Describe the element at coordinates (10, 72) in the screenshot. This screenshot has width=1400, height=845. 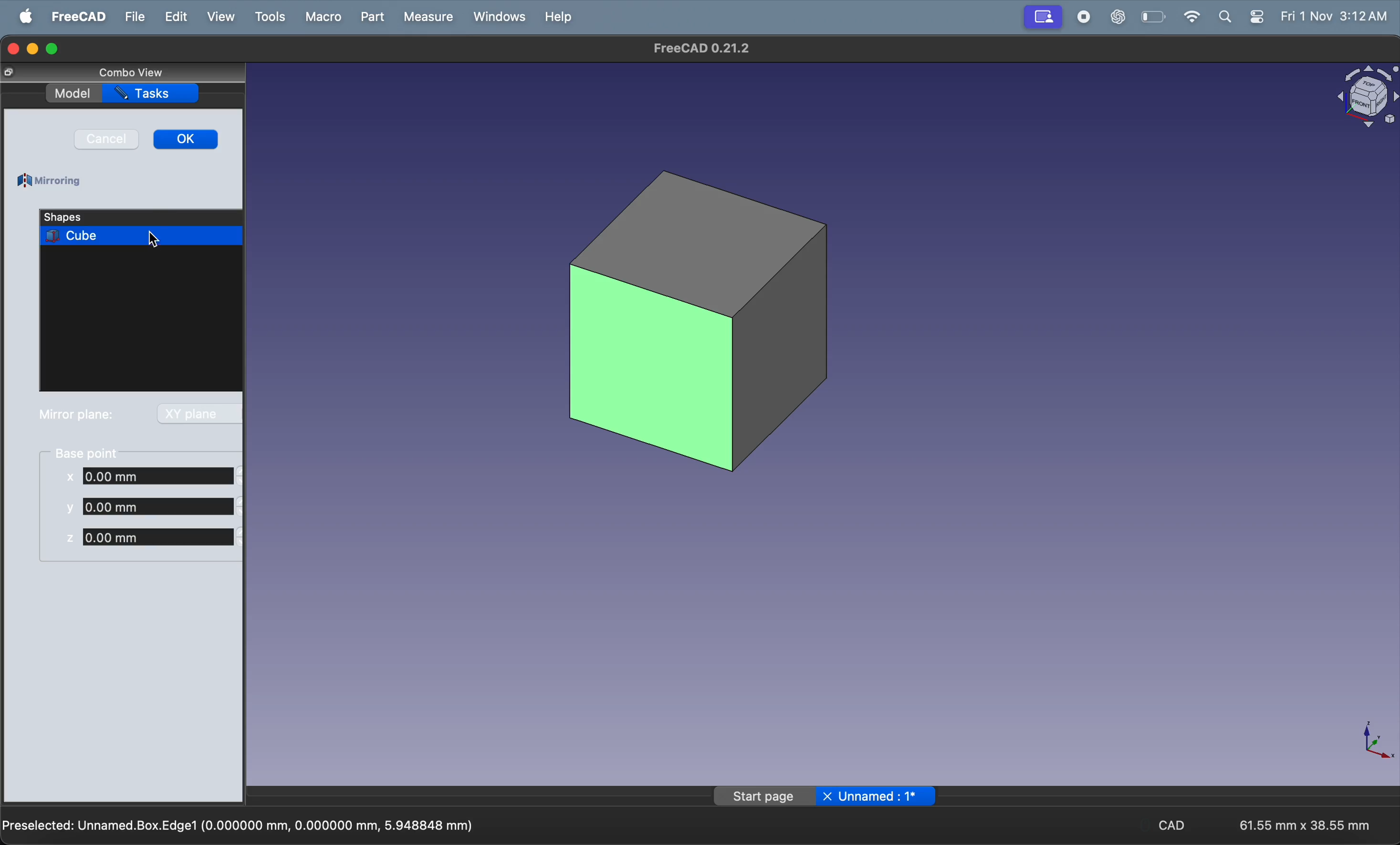
I see `resize` at that location.